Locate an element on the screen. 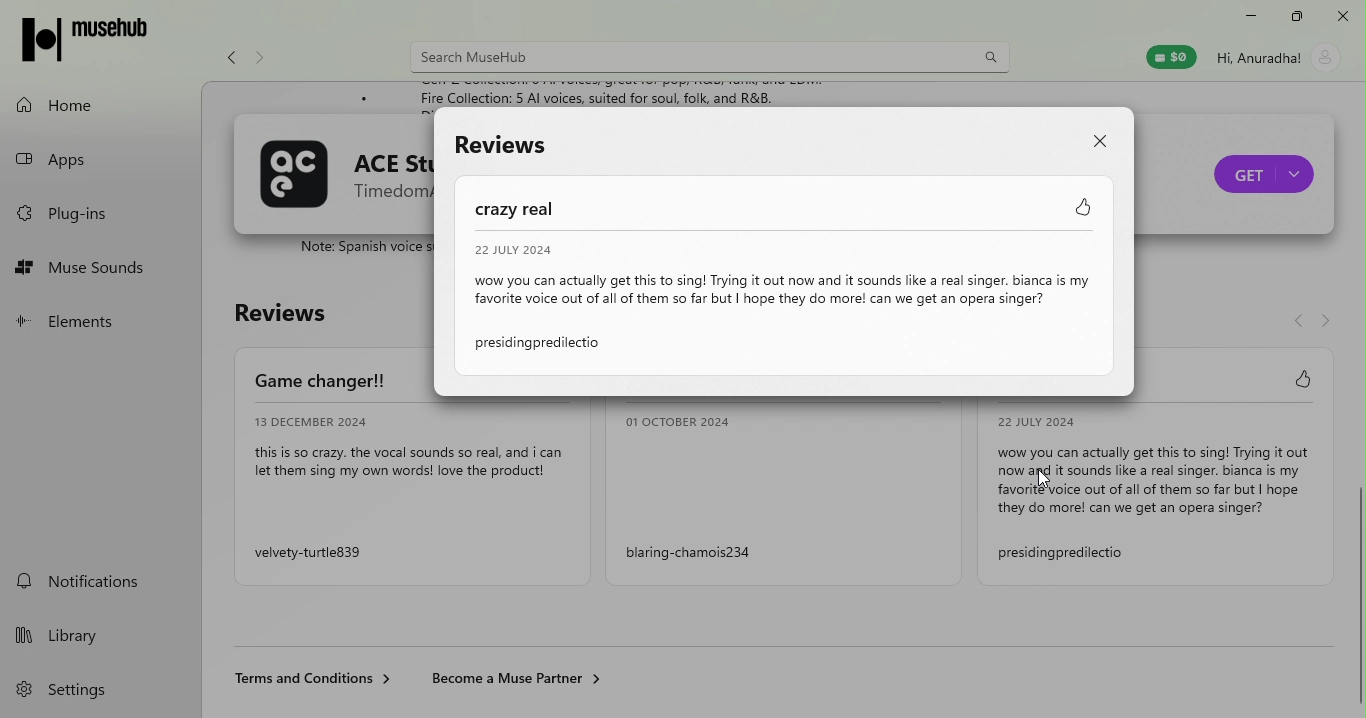  notifications is located at coordinates (98, 582).